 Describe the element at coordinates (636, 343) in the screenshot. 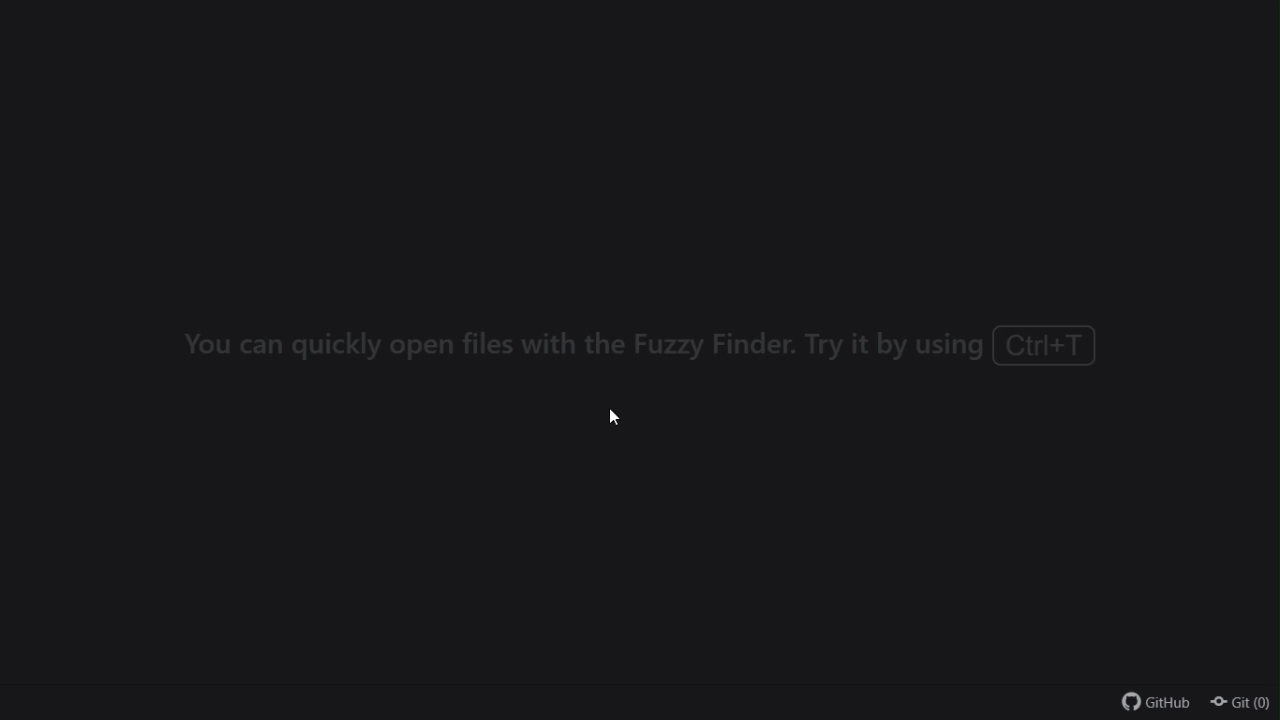

I see `You can quickly open files with the Fuzzy Finder. Try it by using (Ctrl+T)` at that location.